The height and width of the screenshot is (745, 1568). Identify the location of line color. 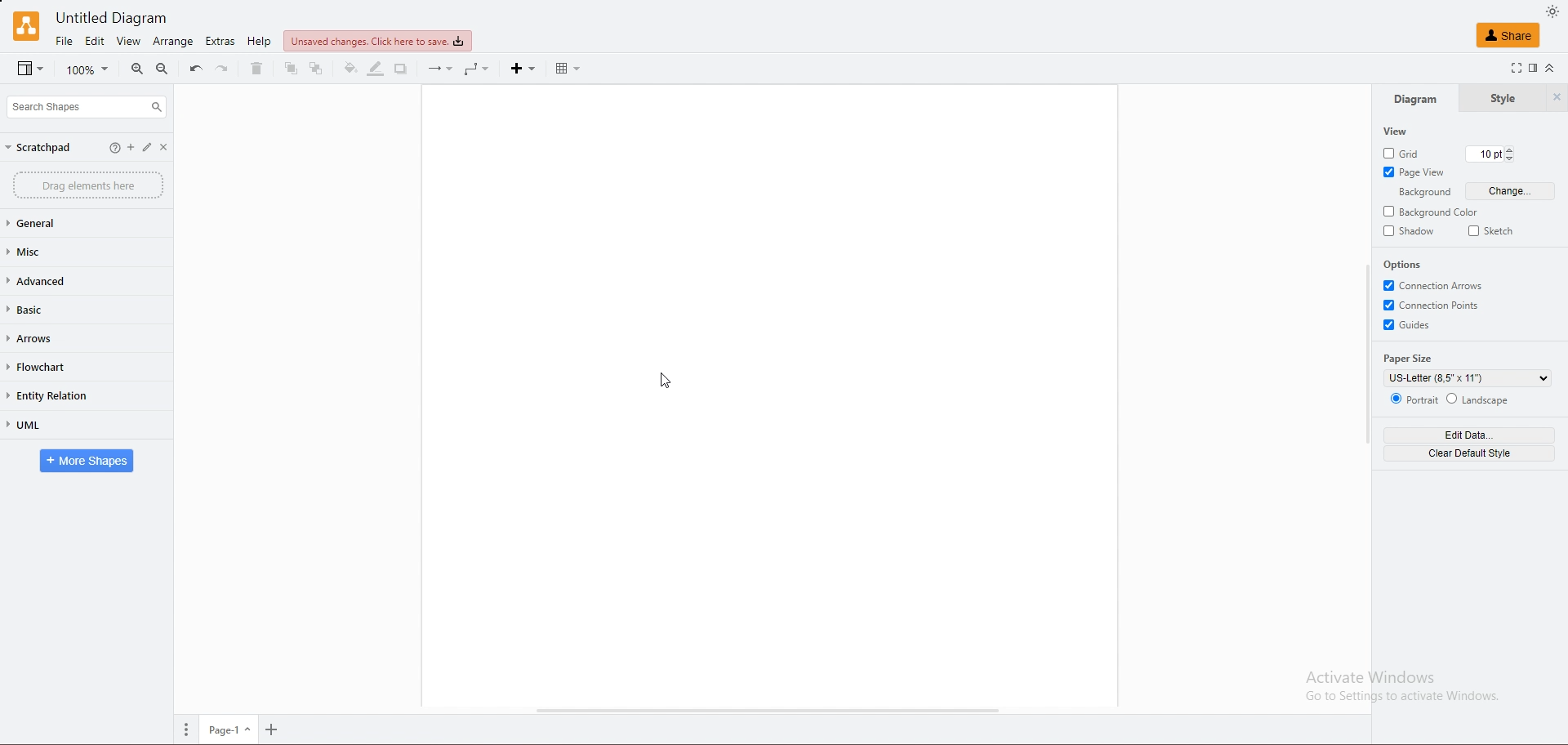
(375, 69).